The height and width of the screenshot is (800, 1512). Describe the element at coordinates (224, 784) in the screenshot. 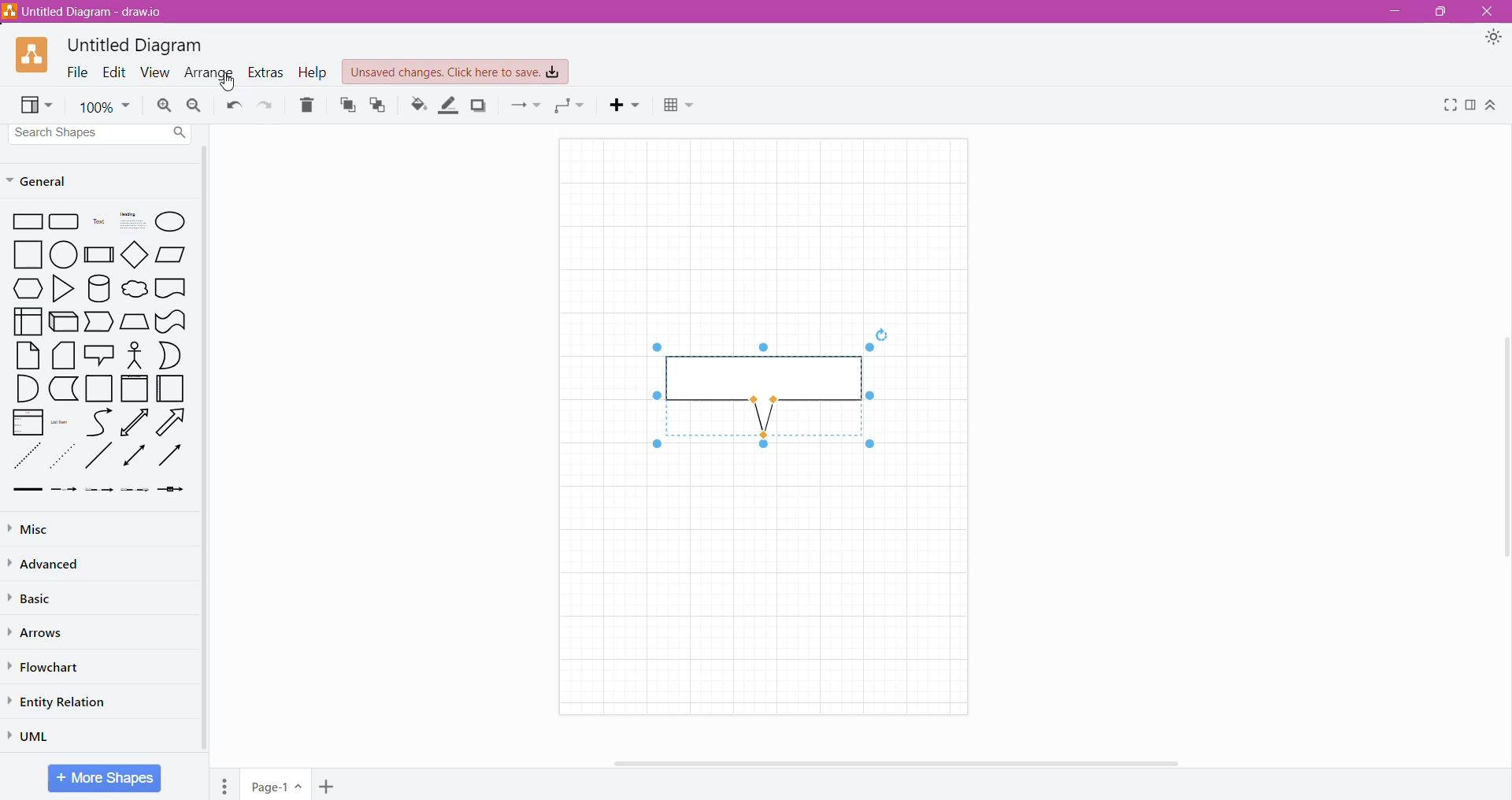

I see `Pages` at that location.